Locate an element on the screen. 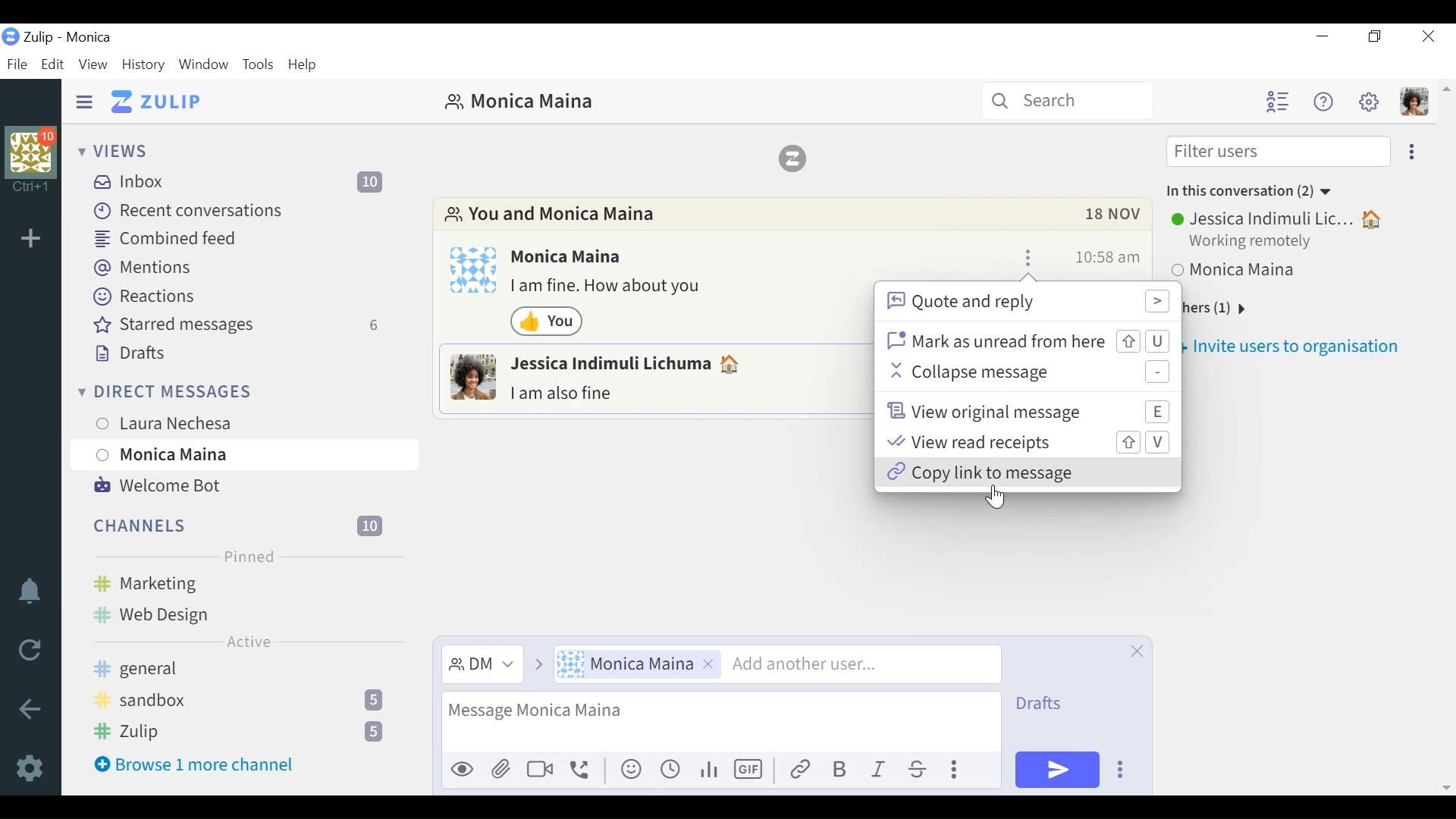 Image resolution: width=1456 pixels, height=819 pixels. close is located at coordinates (1134, 652).